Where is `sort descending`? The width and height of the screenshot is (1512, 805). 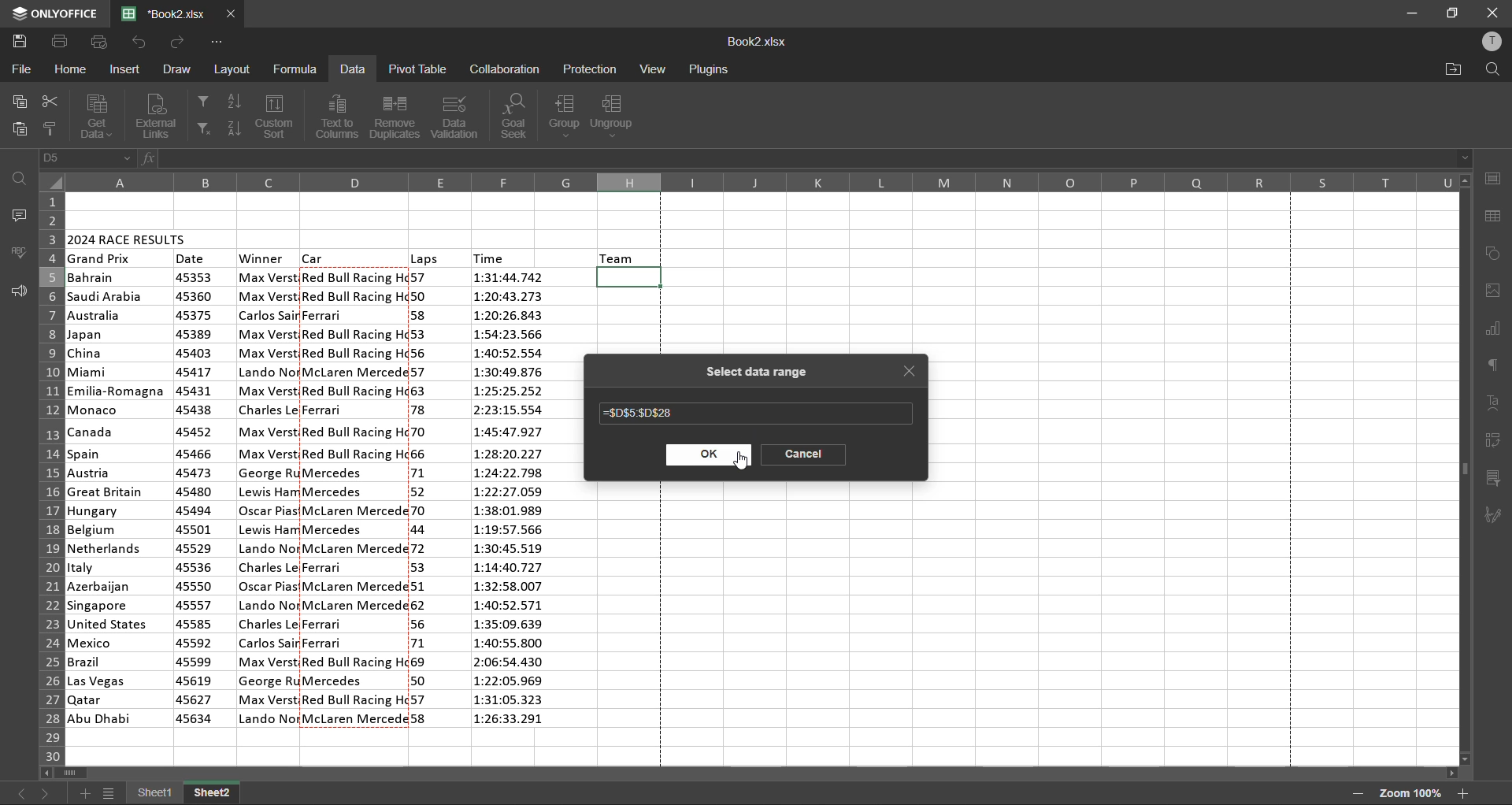 sort descending is located at coordinates (234, 126).